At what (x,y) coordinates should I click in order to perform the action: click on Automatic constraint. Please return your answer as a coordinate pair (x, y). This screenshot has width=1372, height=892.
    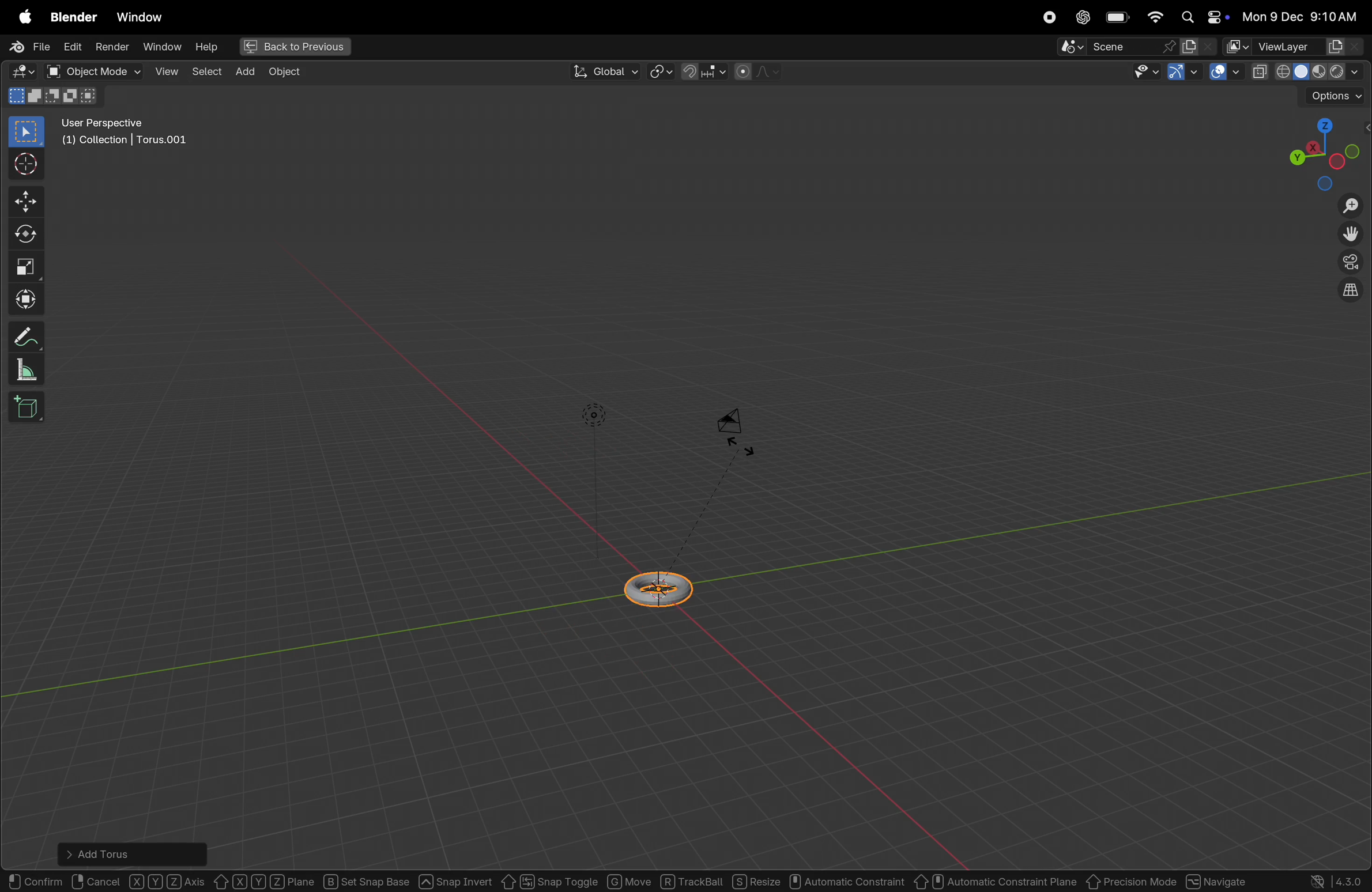
    Looking at the image, I should click on (849, 882).